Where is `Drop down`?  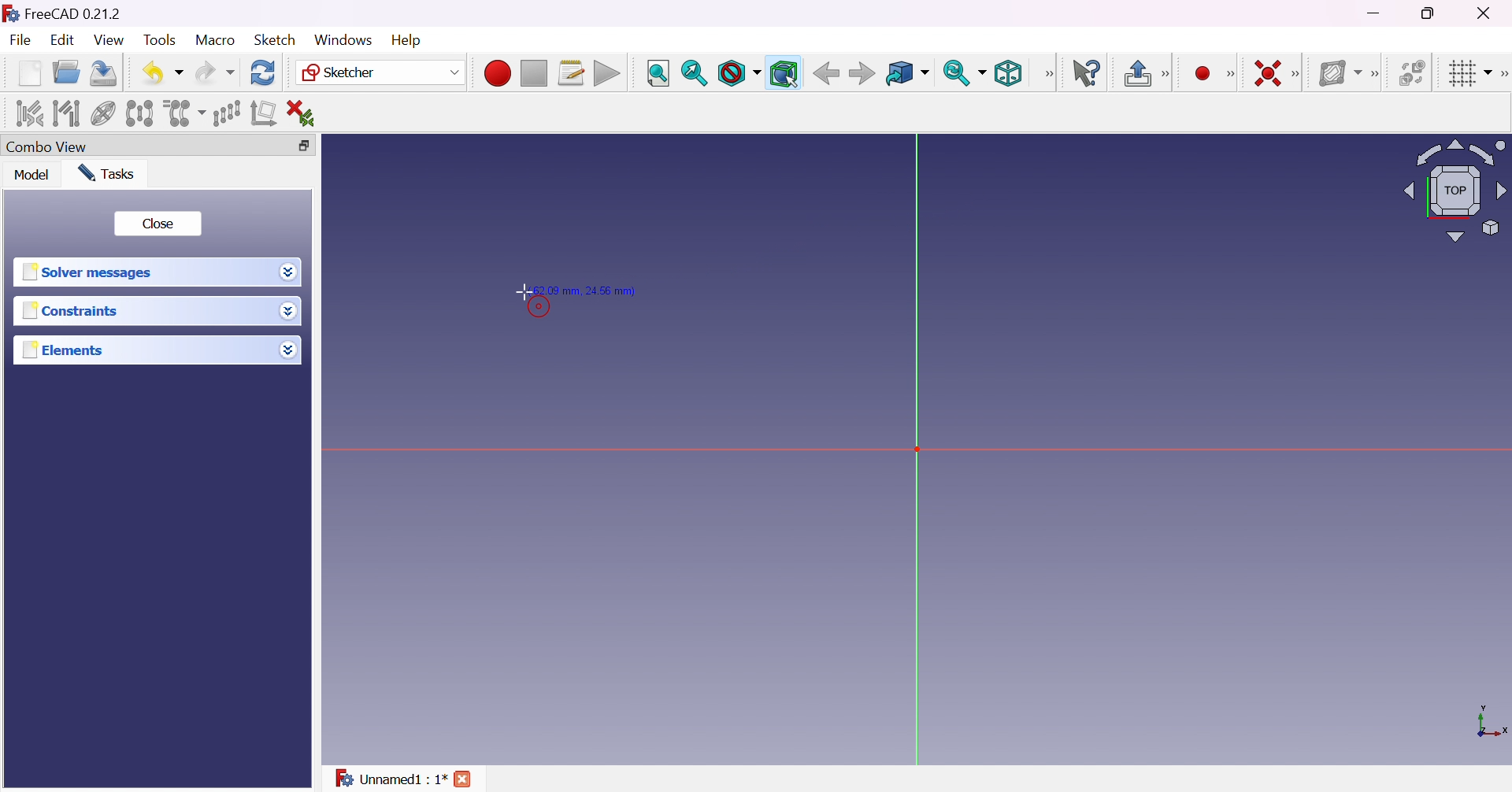
Drop down is located at coordinates (289, 272).